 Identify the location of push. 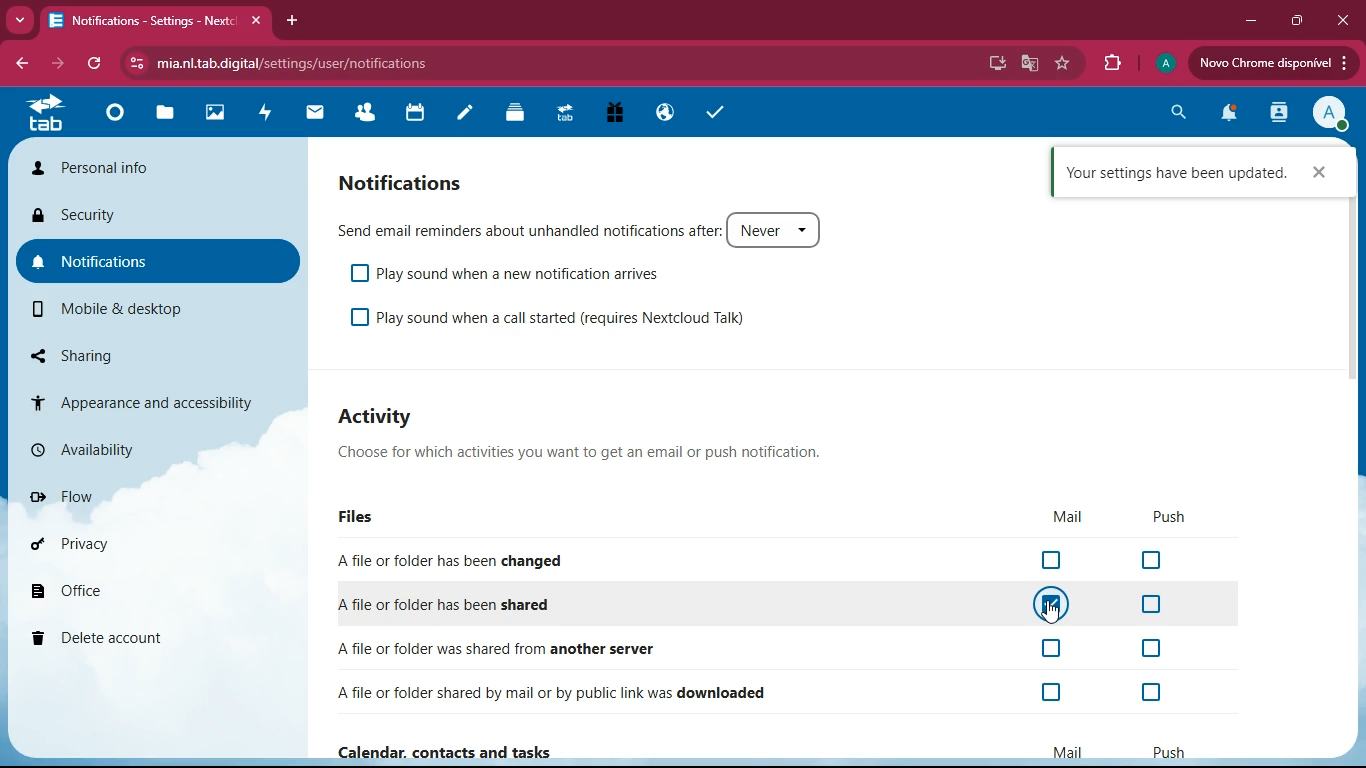
(1169, 515).